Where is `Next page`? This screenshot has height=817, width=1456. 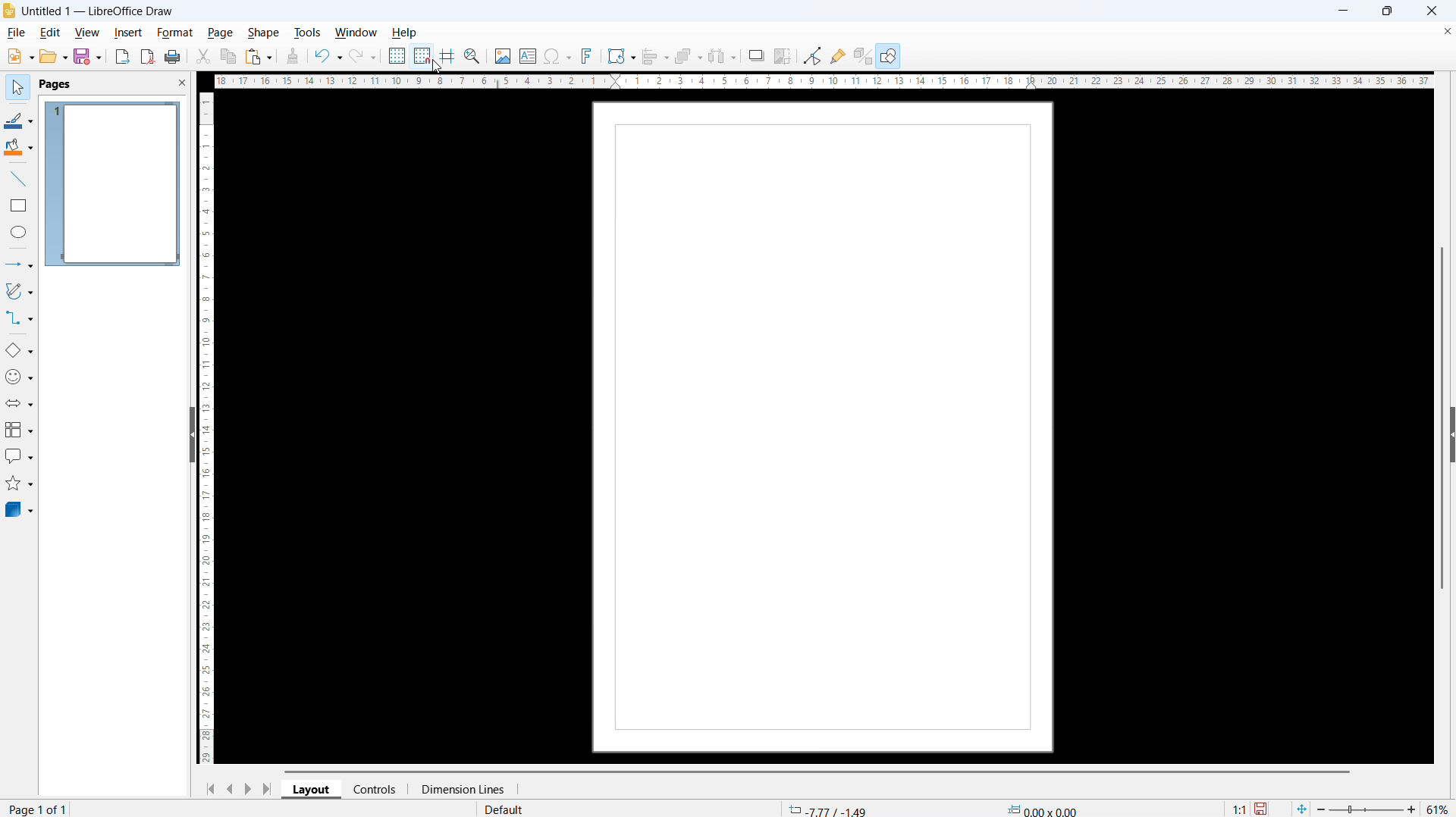
Next page is located at coordinates (248, 788).